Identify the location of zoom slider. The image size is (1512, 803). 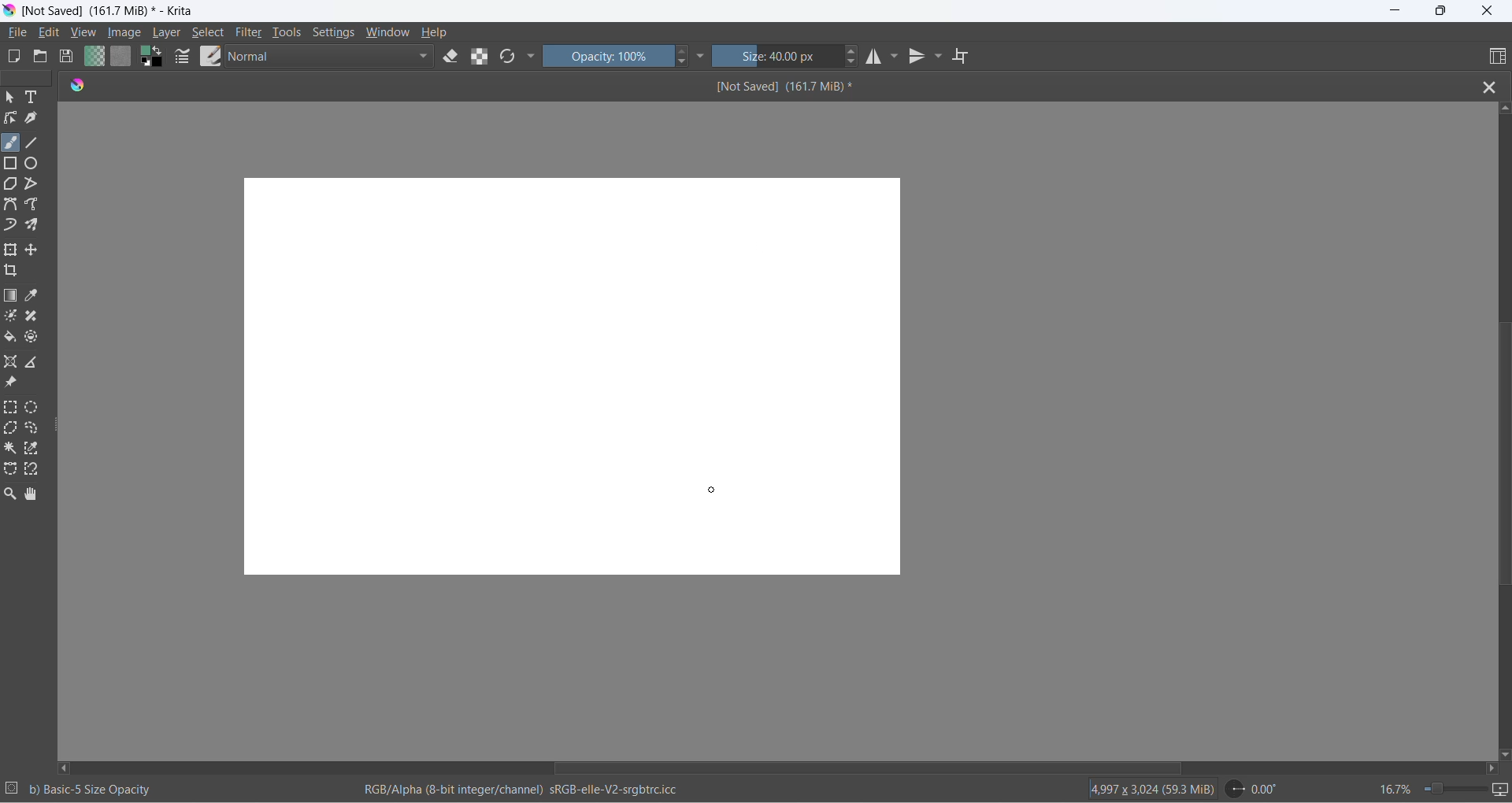
(1448, 789).